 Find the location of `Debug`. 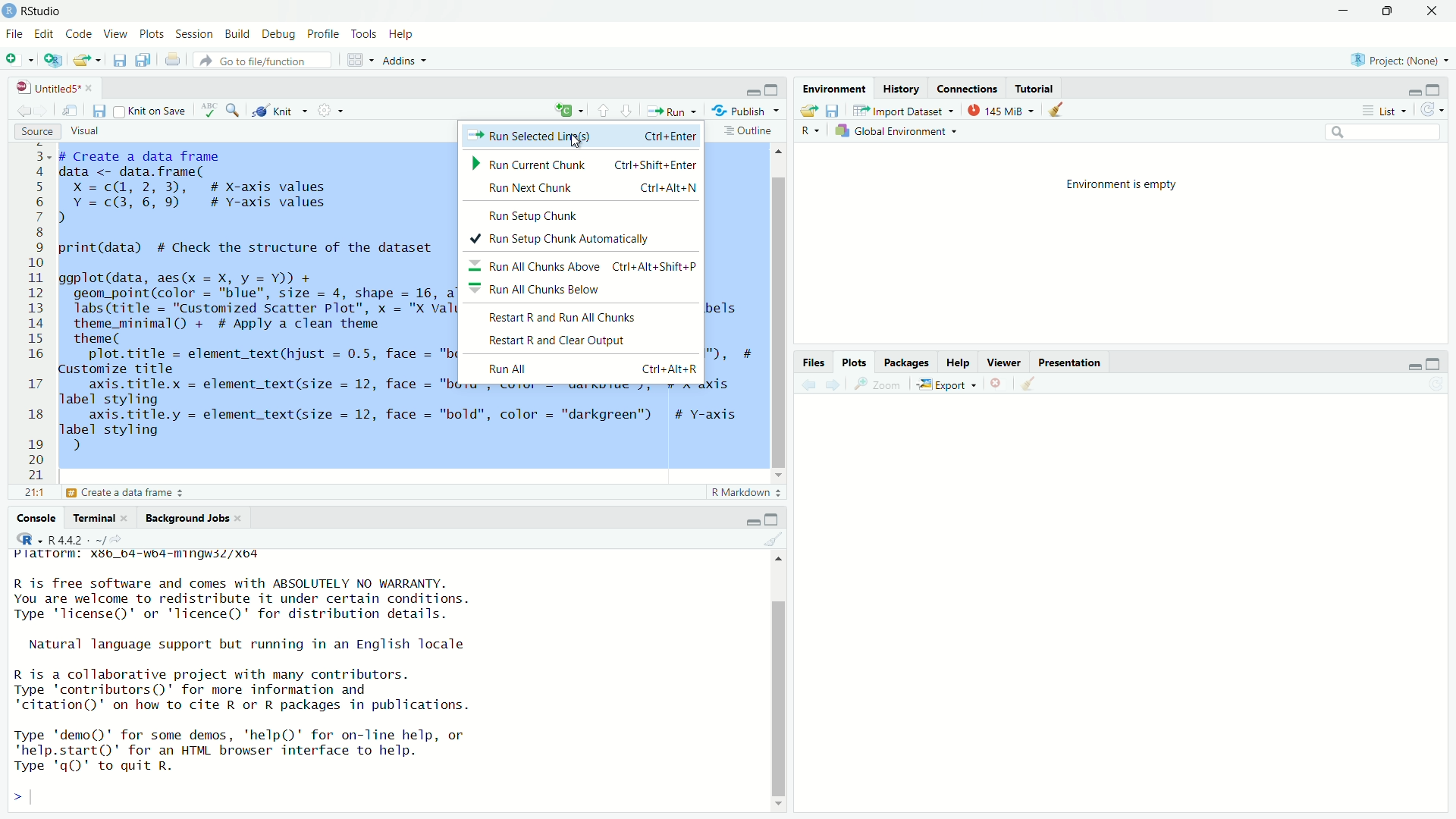

Debug is located at coordinates (279, 35).